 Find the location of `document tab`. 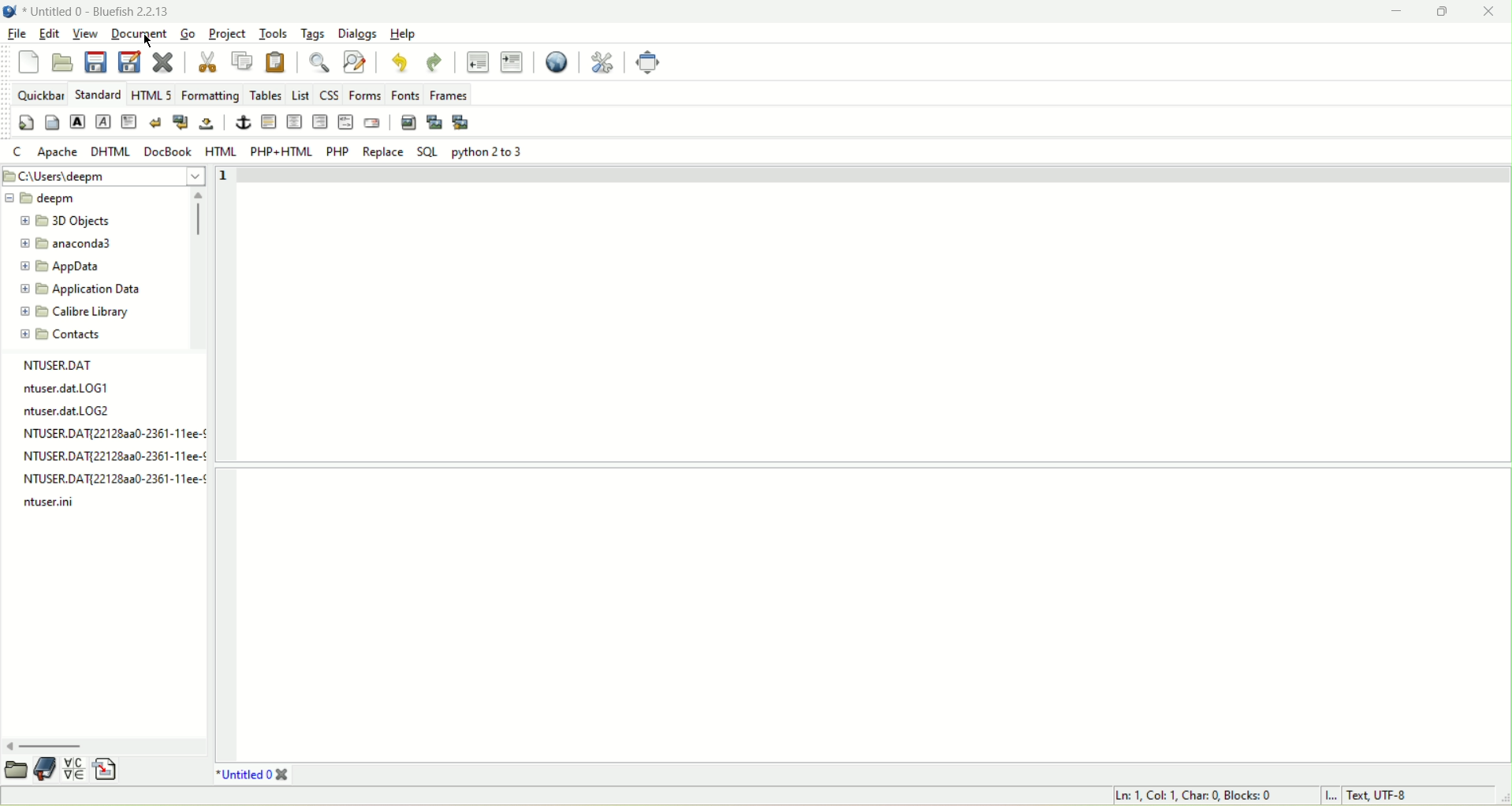

document tab is located at coordinates (243, 775).